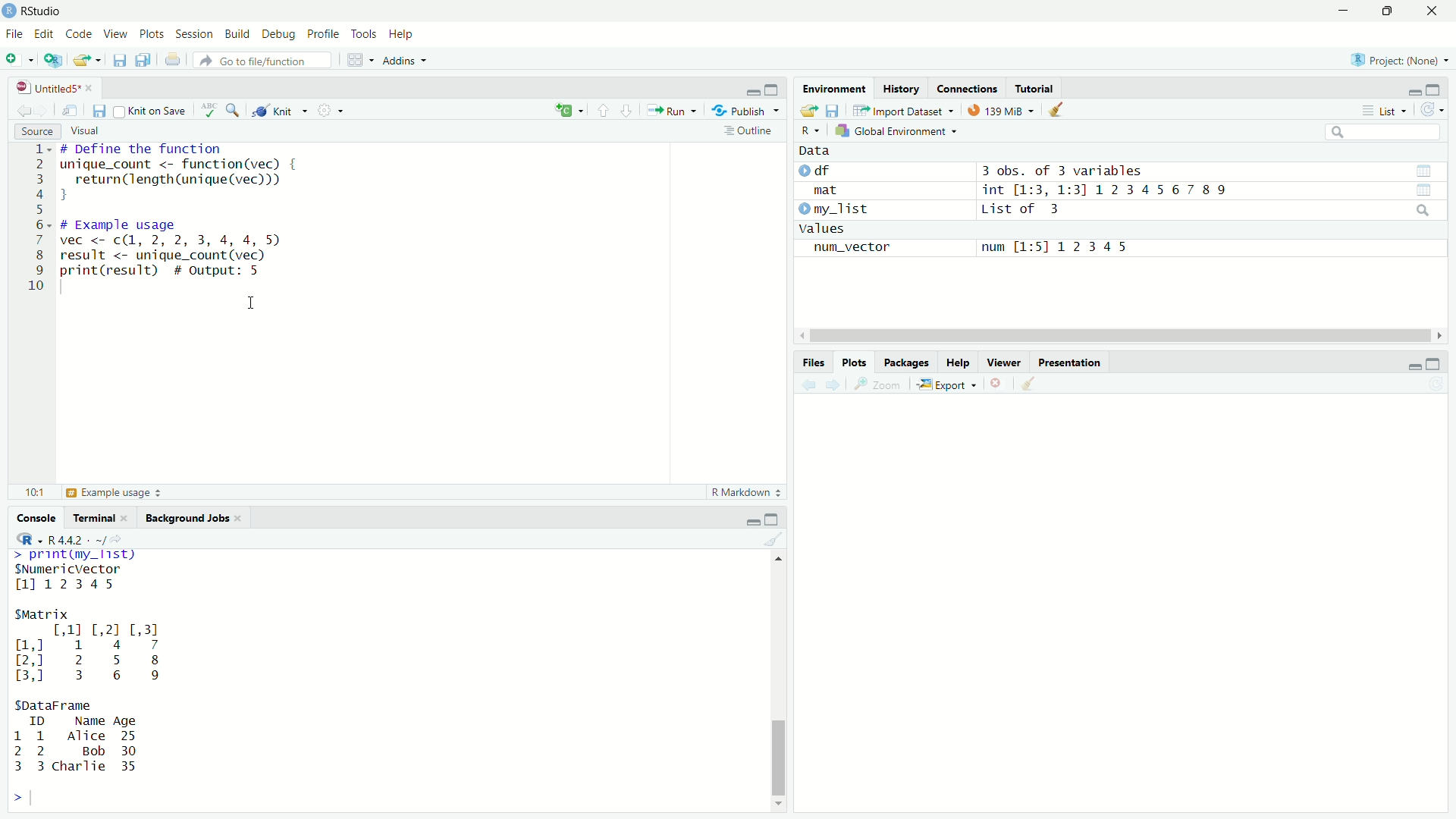 The height and width of the screenshot is (819, 1456). What do you see at coordinates (1344, 11) in the screenshot?
I see `minimize` at bounding box center [1344, 11].